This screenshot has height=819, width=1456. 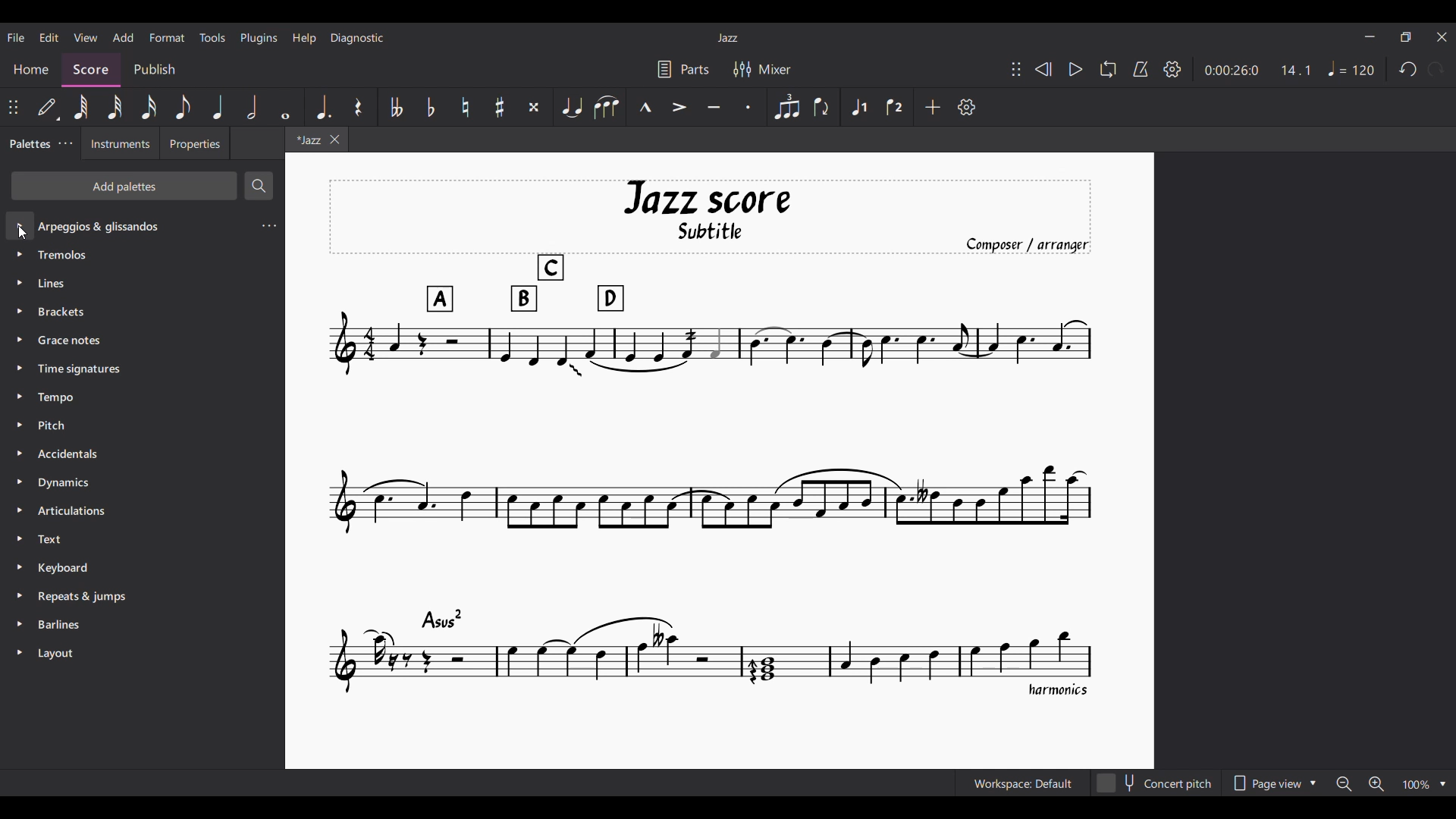 What do you see at coordinates (119, 143) in the screenshot?
I see `Instruments` at bounding box center [119, 143].